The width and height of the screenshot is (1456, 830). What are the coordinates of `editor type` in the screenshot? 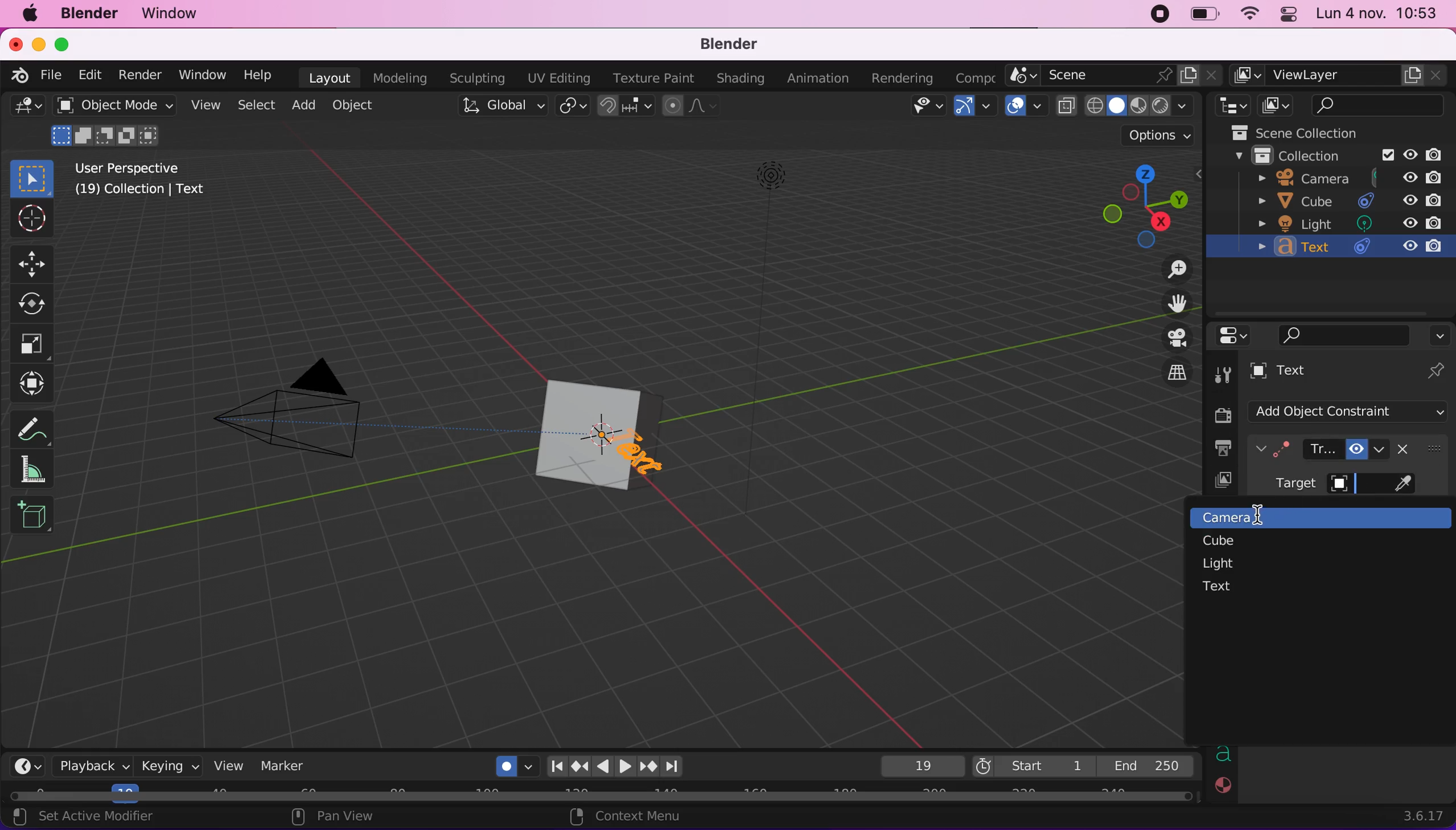 It's located at (1238, 335).